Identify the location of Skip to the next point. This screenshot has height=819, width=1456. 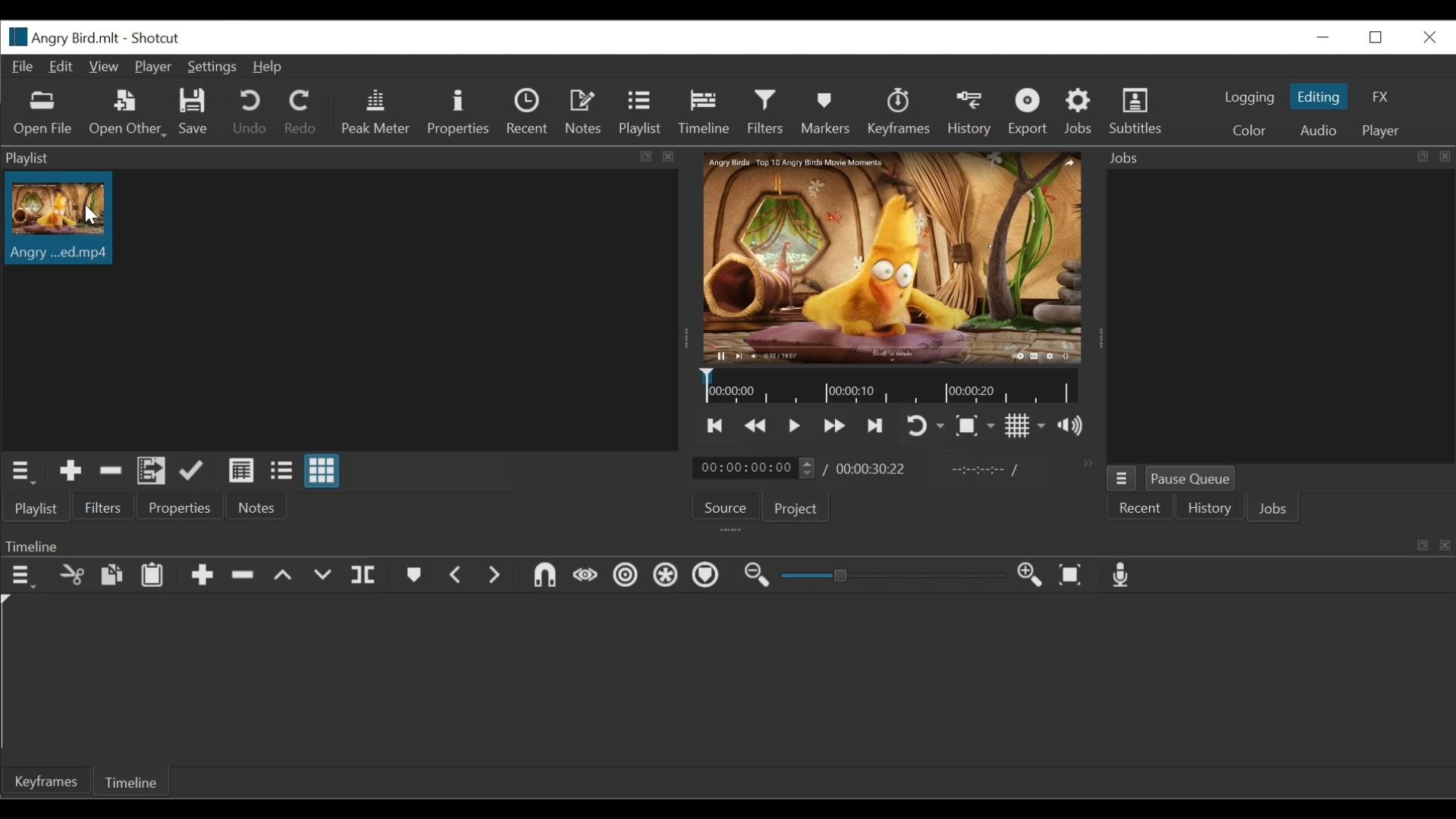
(717, 425).